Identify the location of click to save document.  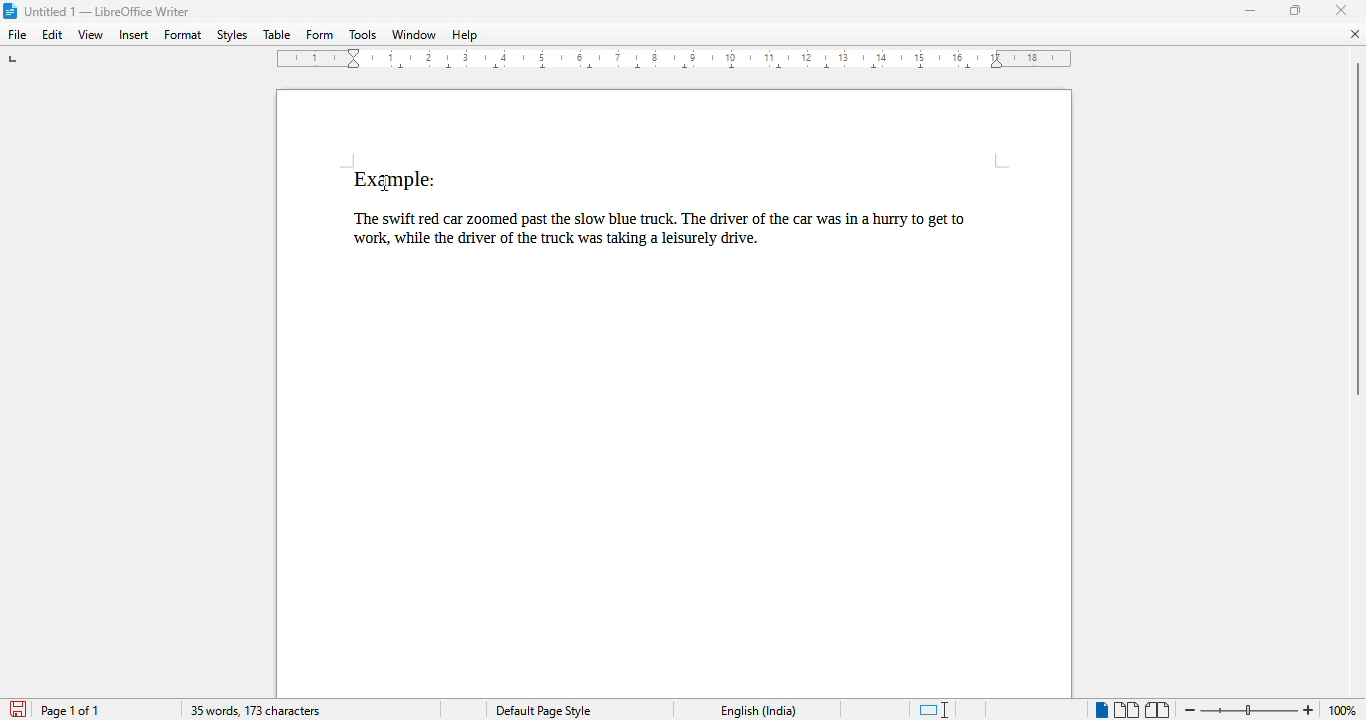
(17, 710).